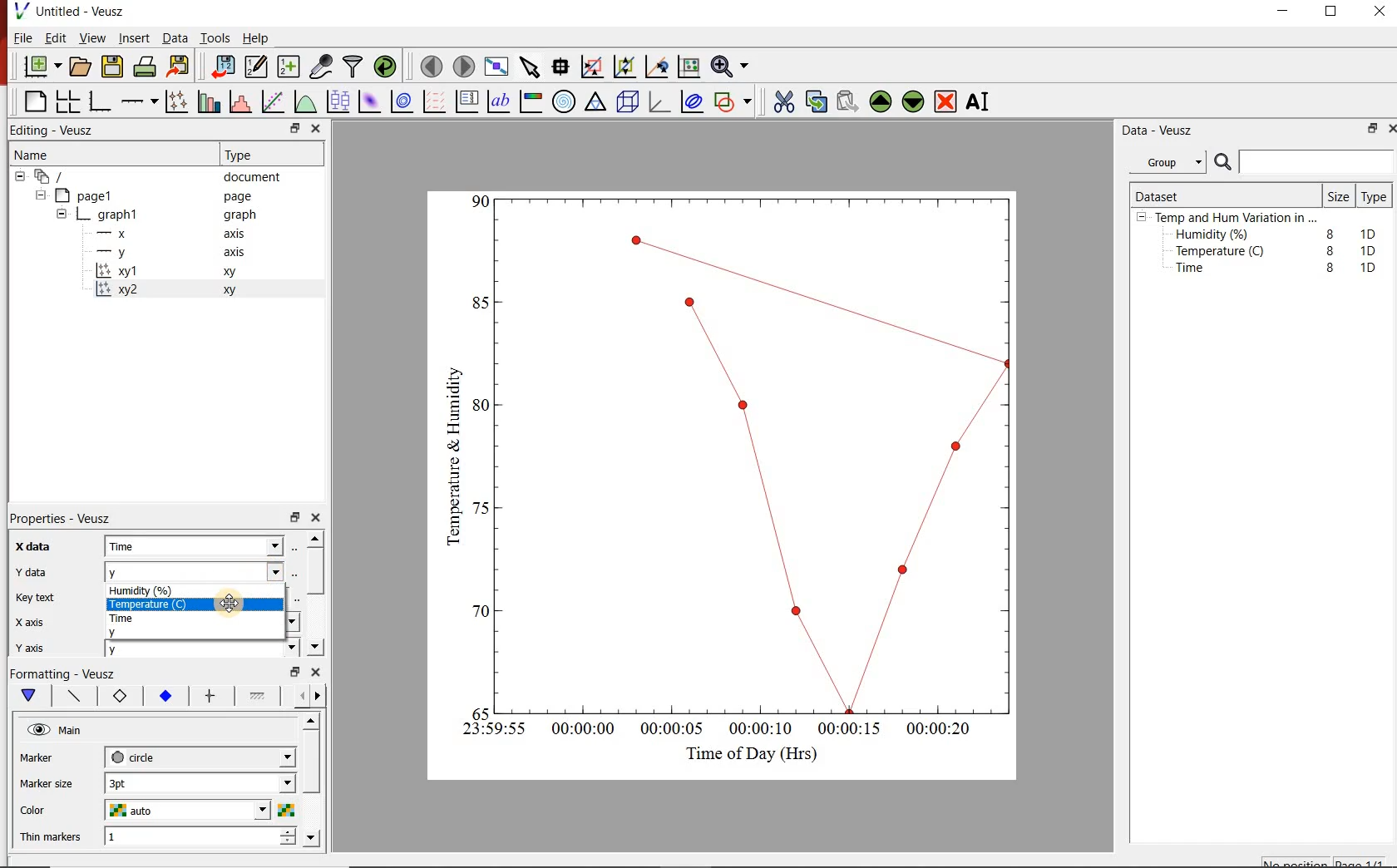  Describe the element at coordinates (180, 66) in the screenshot. I see `Export to graphics format` at that location.